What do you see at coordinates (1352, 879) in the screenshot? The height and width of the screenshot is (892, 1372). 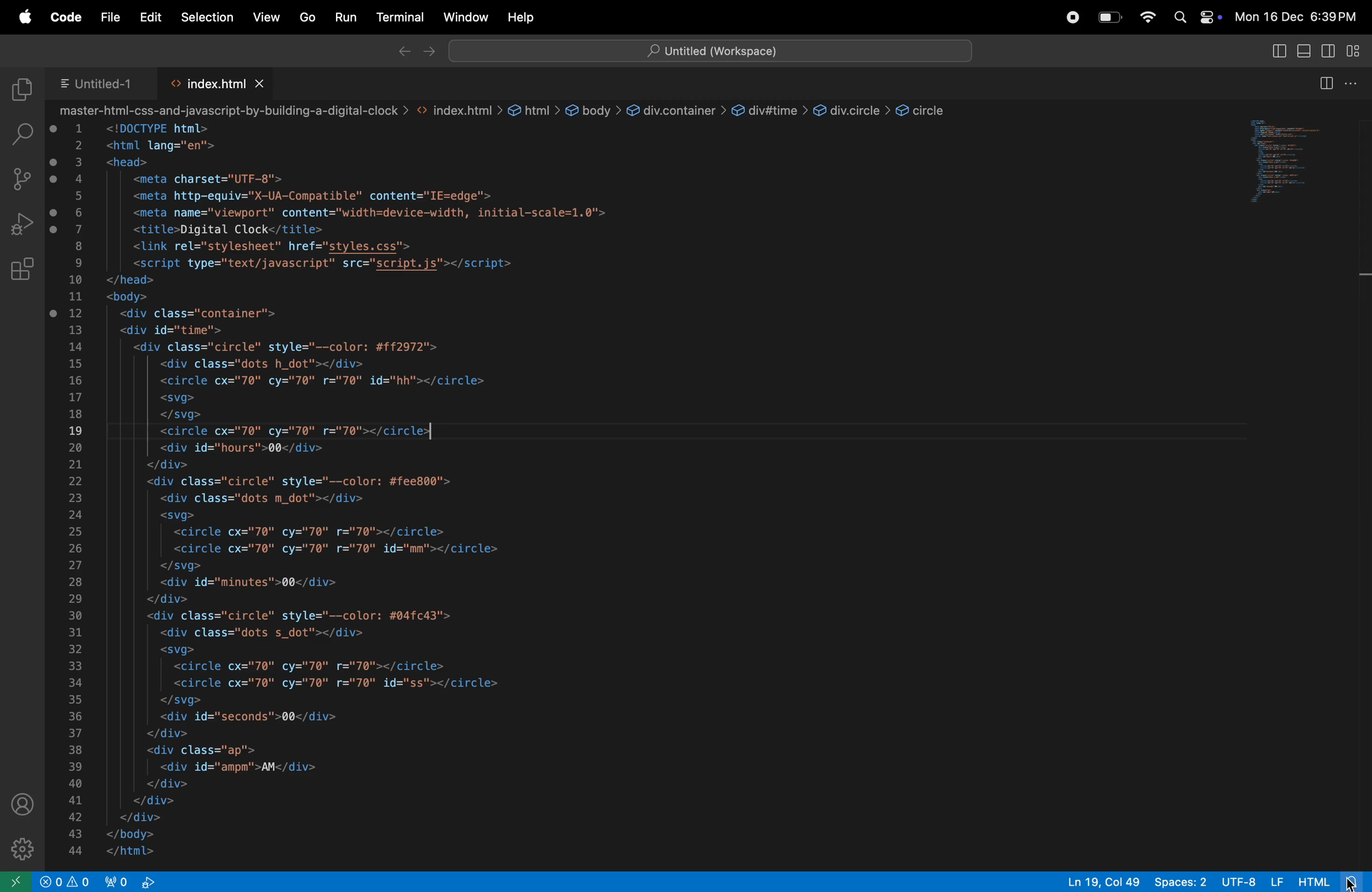 I see `view notifications` at bounding box center [1352, 879].